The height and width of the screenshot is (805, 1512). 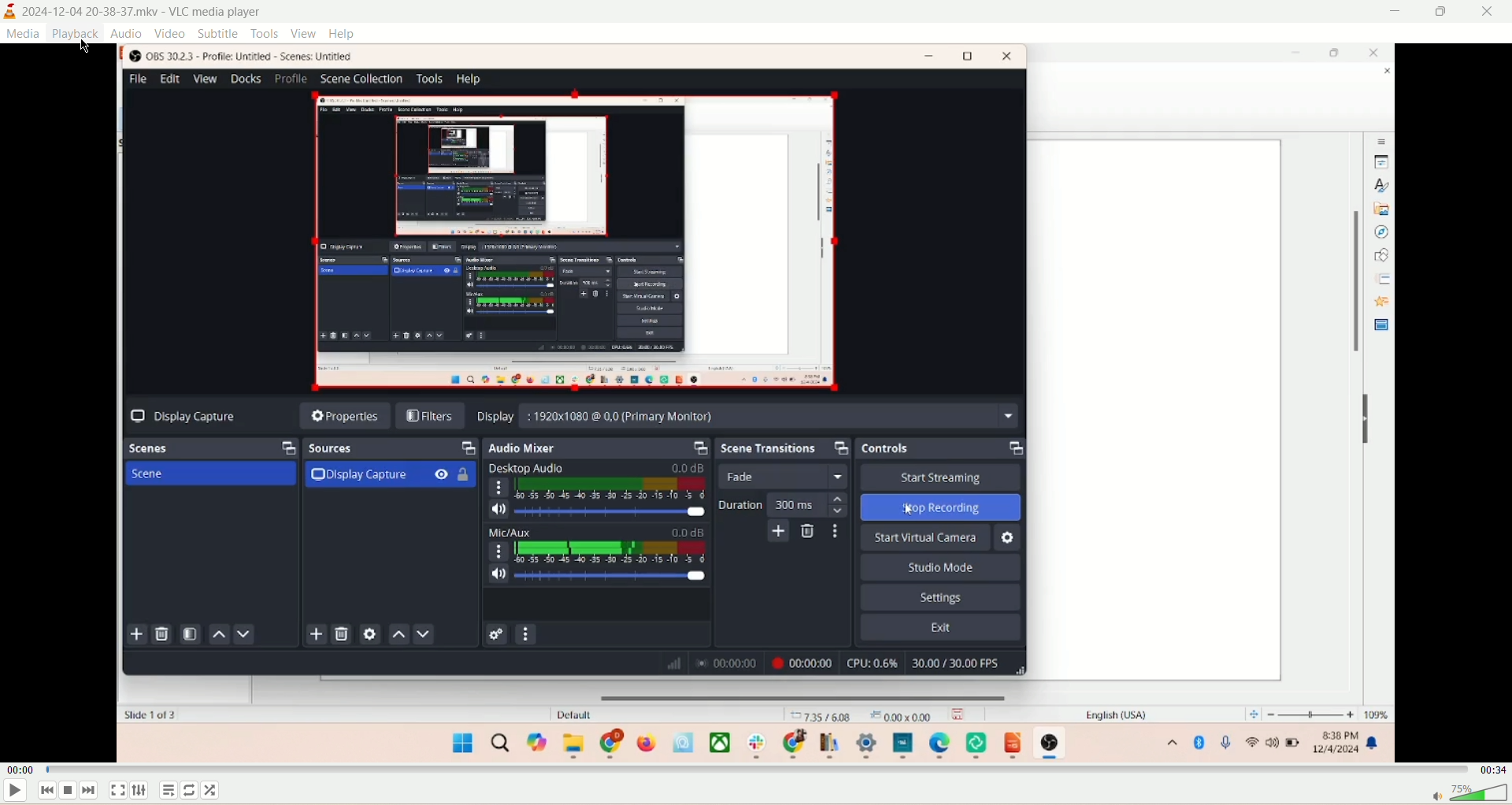 What do you see at coordinates (171, 792) in the screenshot?
I see `playlist` at bounding box center [171, 792].